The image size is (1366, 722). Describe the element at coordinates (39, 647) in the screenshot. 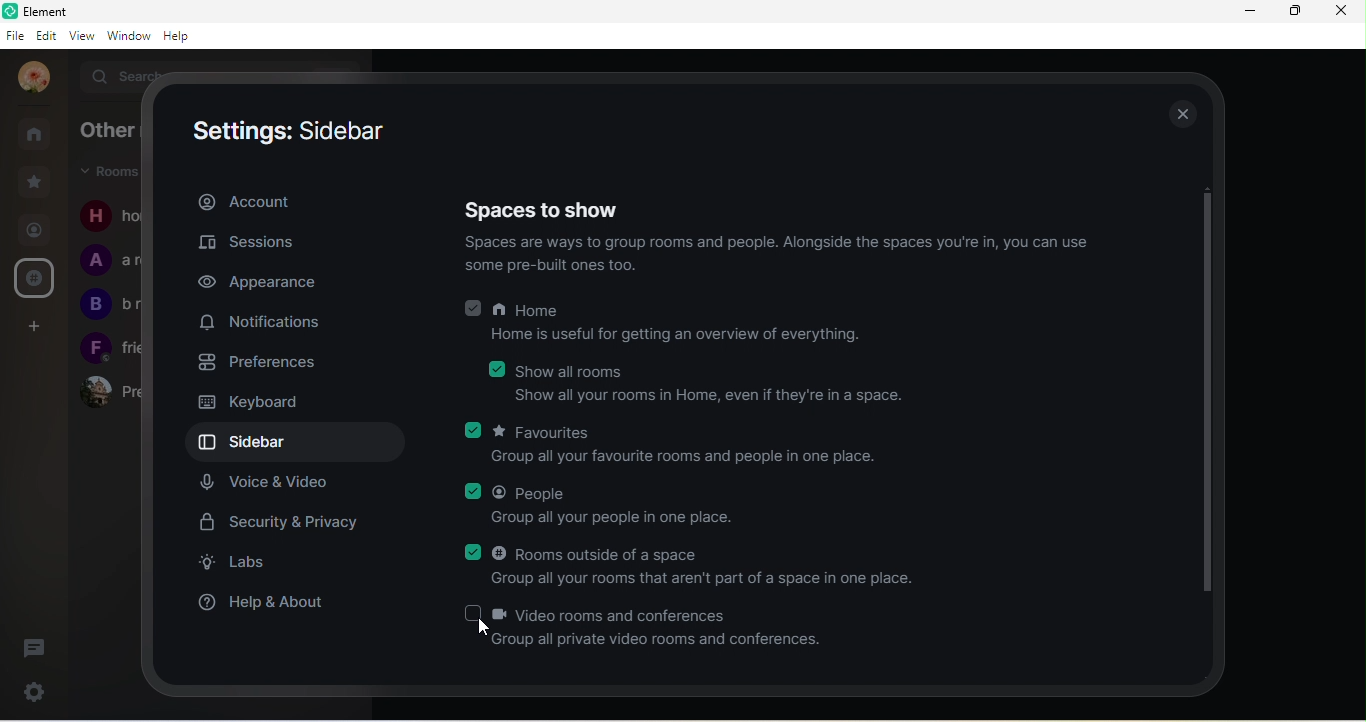

I see `thread` at that location.